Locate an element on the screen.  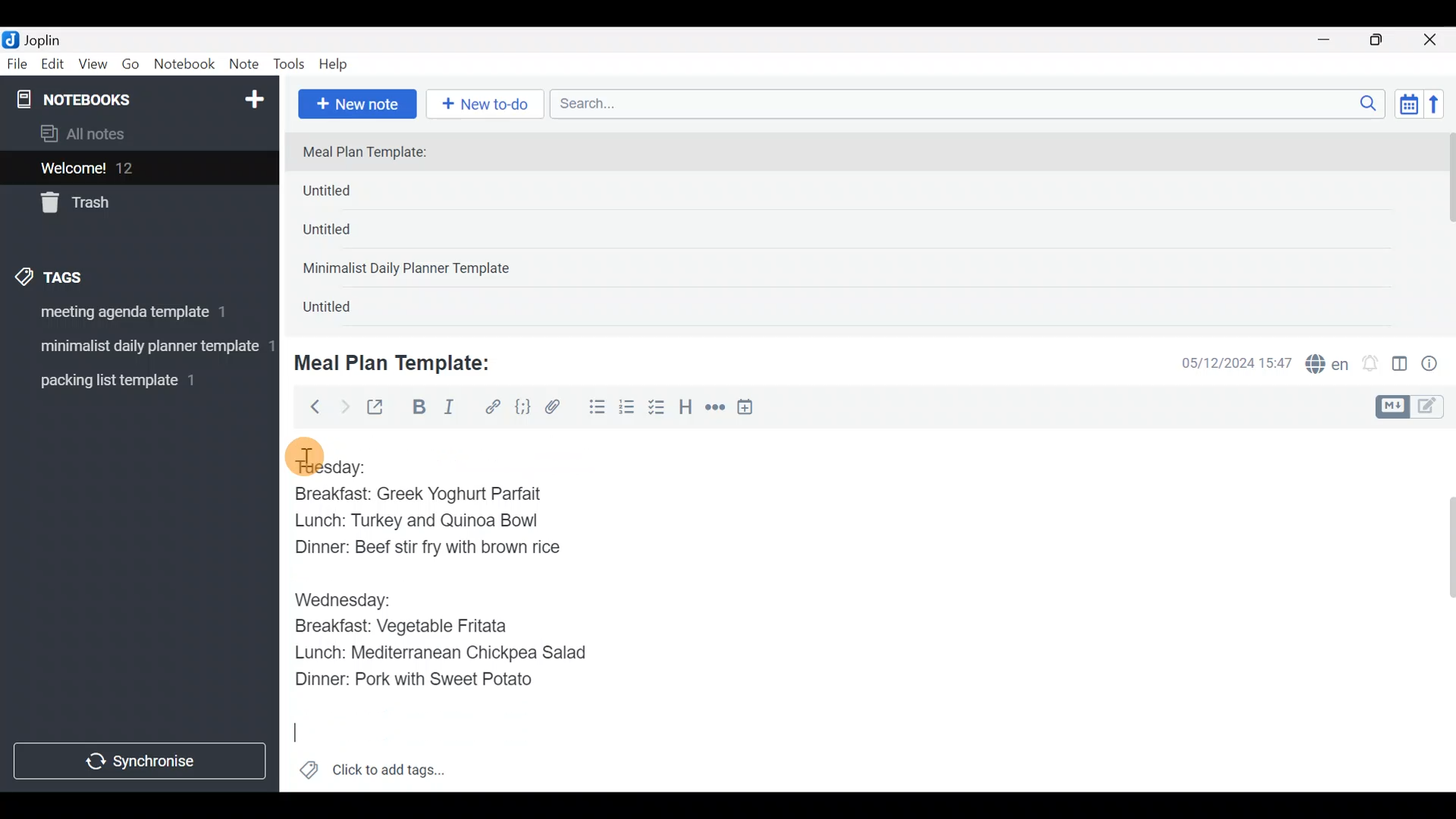
New note is located at coordinates (356, 102).